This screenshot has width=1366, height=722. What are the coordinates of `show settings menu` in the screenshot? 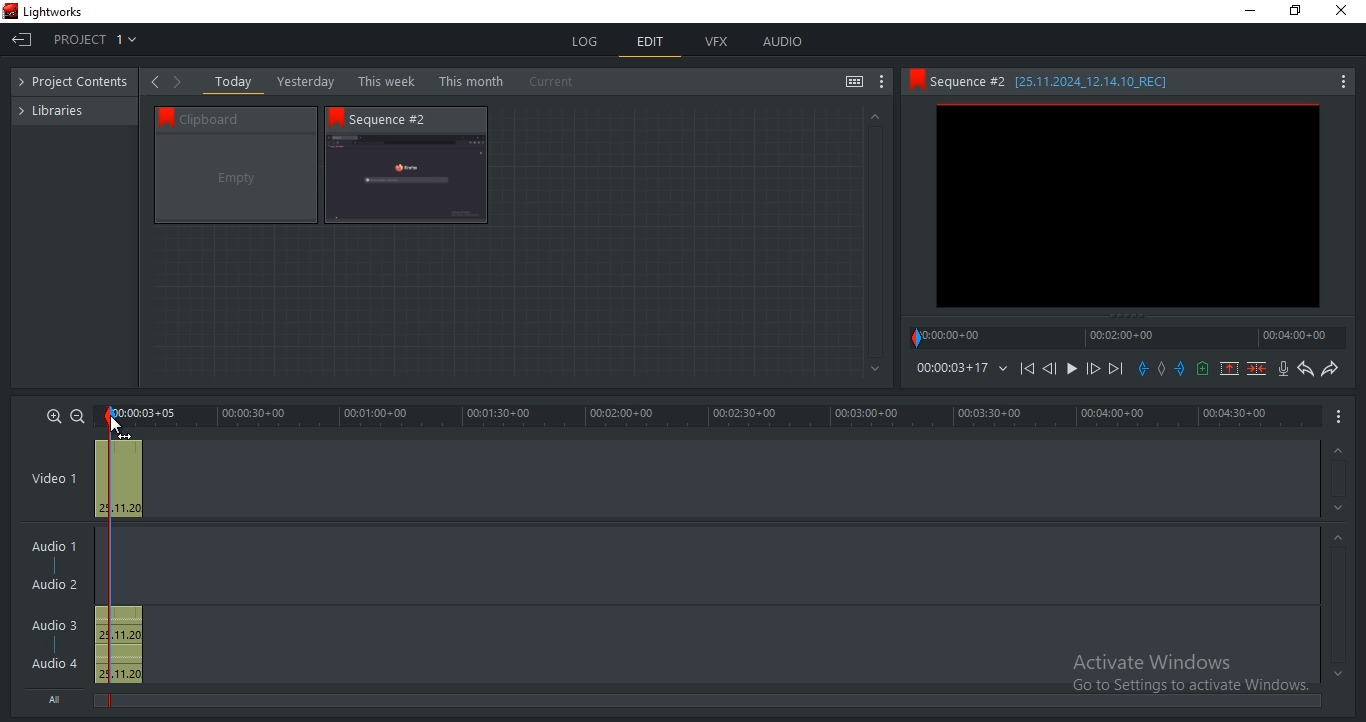 It's located at (882, 82).